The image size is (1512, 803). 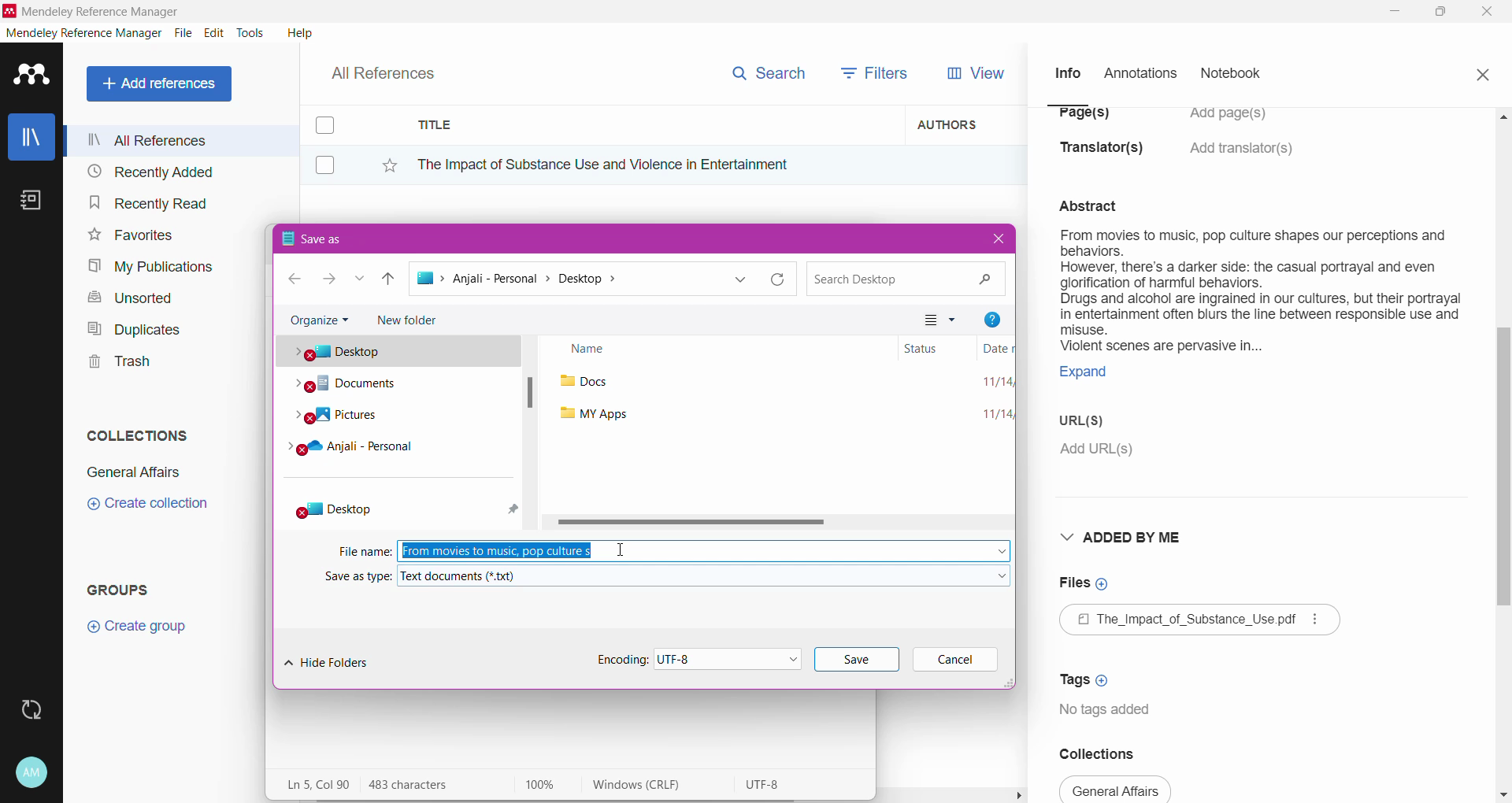 What do you see at coordinates (1125, 537) in the screenshot?
I see `Added By Me` at bounding box center [1125, 537].